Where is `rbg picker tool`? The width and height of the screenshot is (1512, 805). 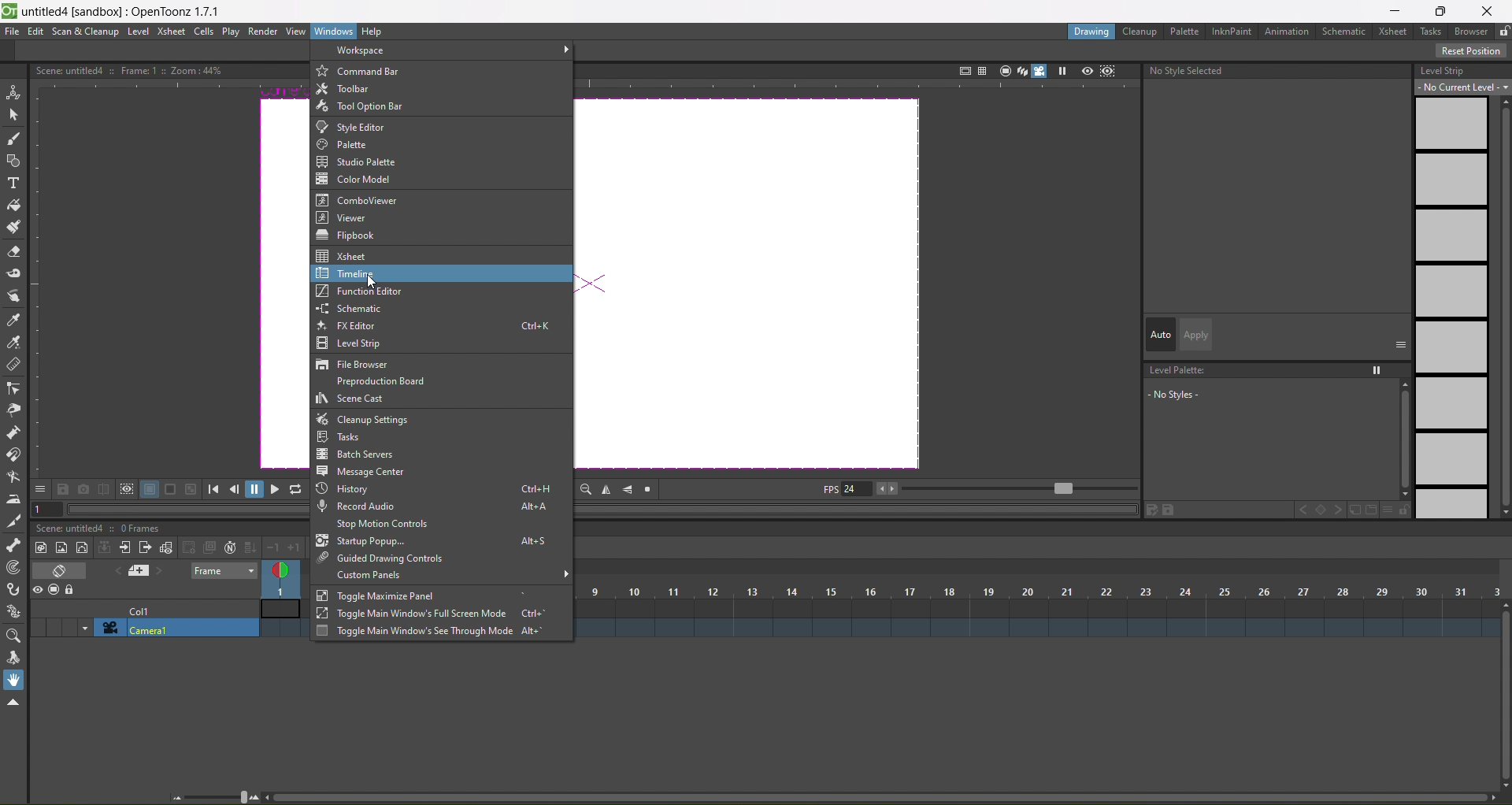
rbg picker tool is located at coordinates (14, 343).